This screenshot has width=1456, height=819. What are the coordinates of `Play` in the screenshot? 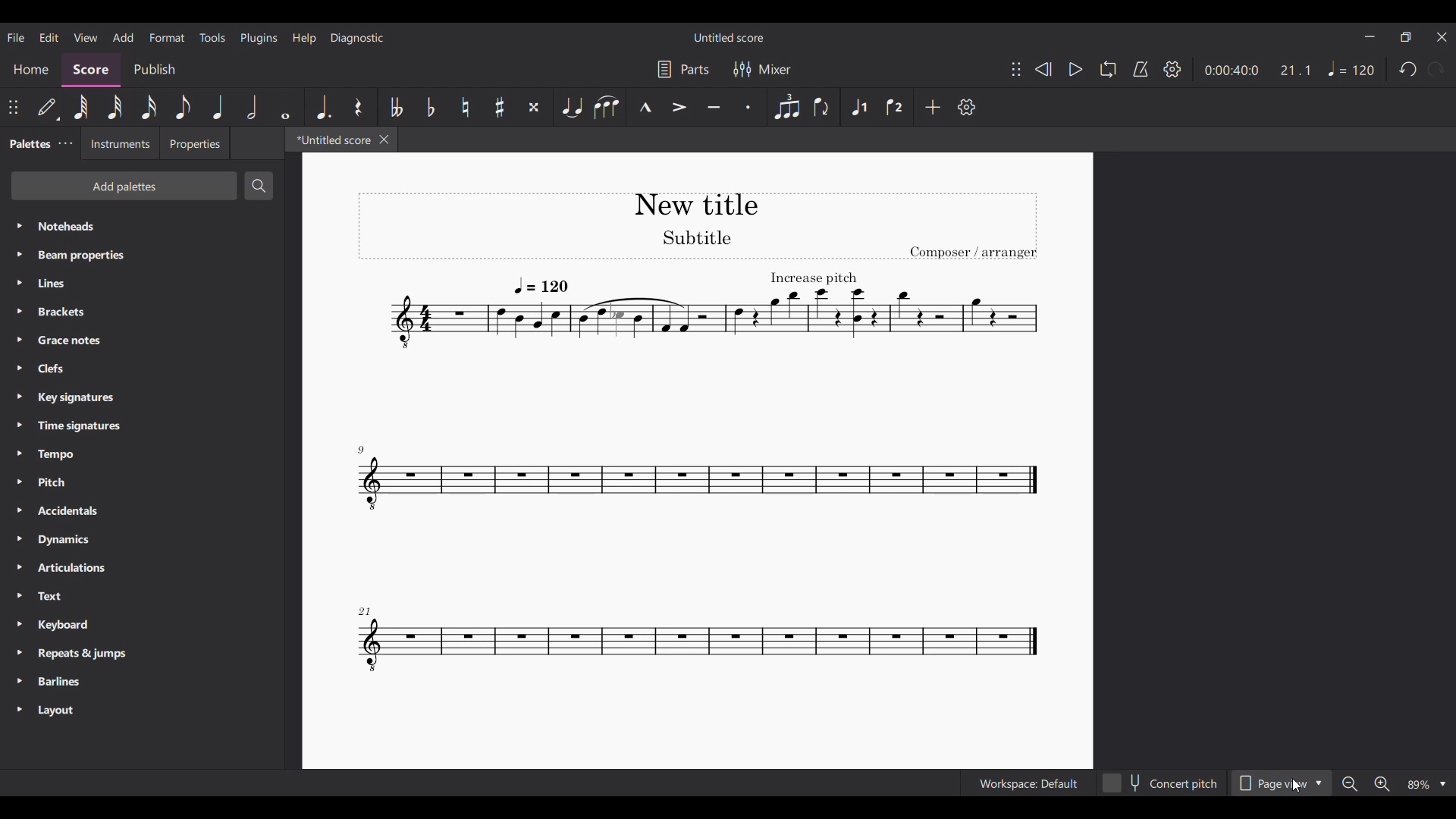 It's located at (1076, 70).